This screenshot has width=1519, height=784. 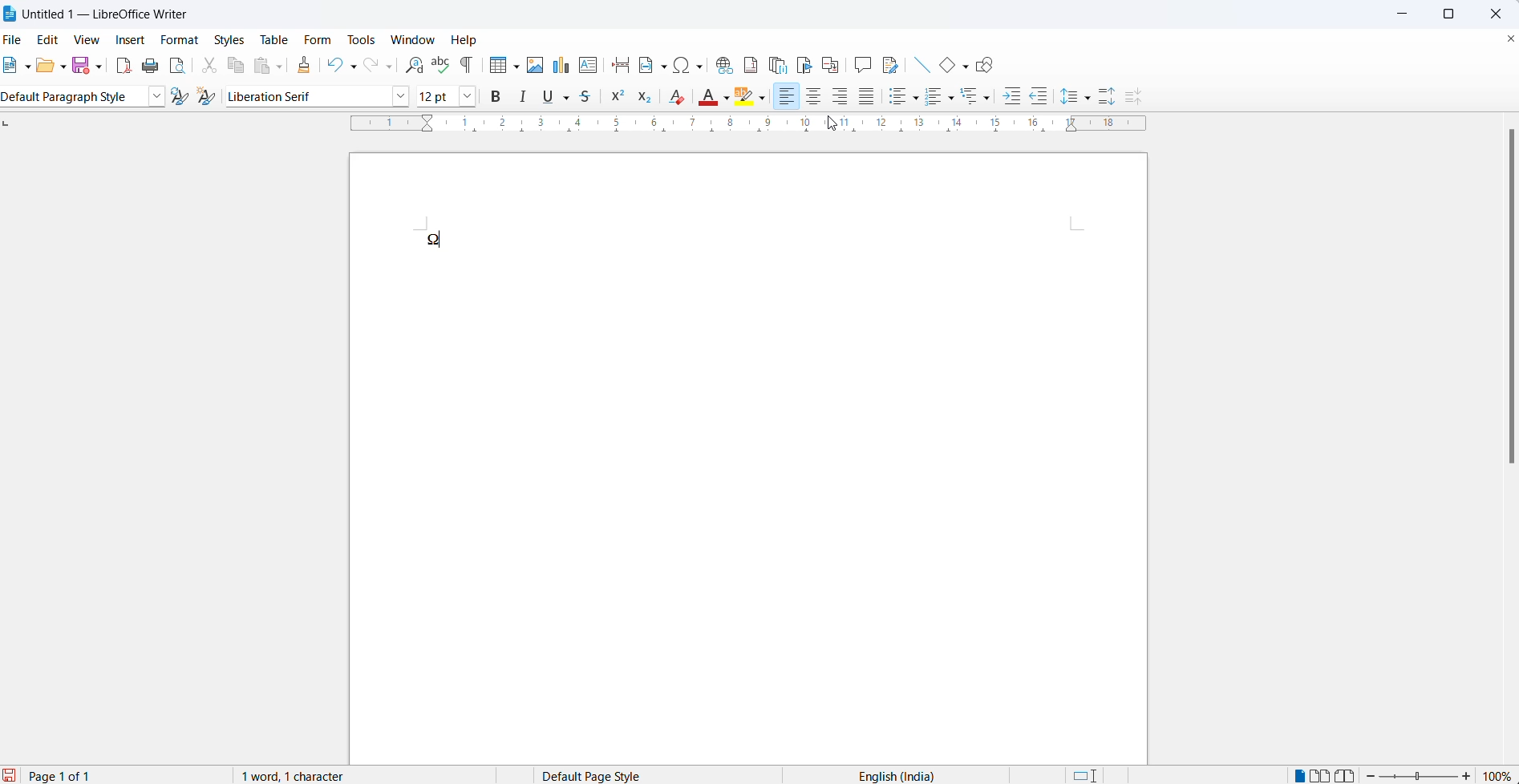 I want to click on toggle formatting marks, so click(x=466, y=66).